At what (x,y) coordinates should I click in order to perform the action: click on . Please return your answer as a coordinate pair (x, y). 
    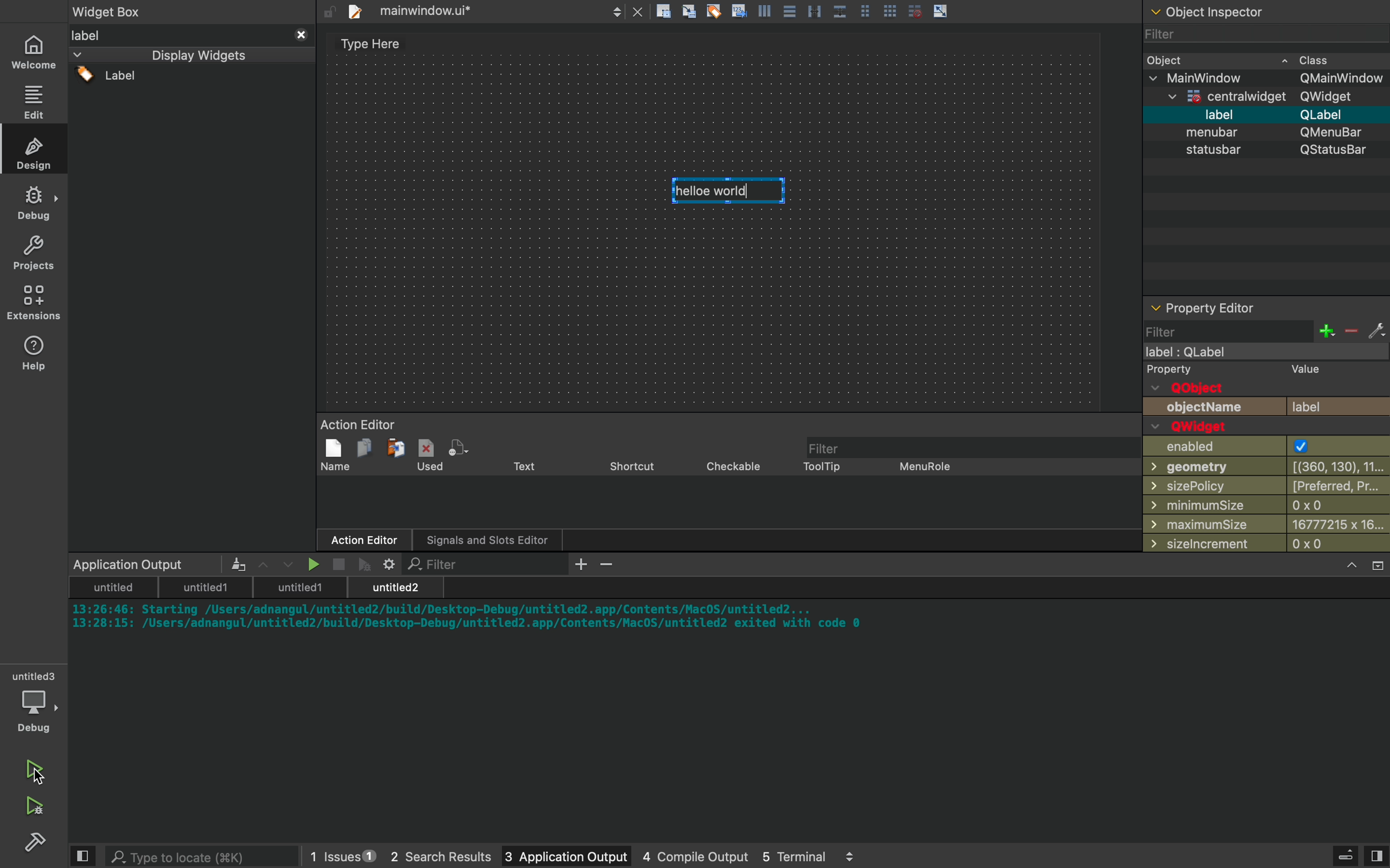
    Looking at the image, I should click on (1360, 855).